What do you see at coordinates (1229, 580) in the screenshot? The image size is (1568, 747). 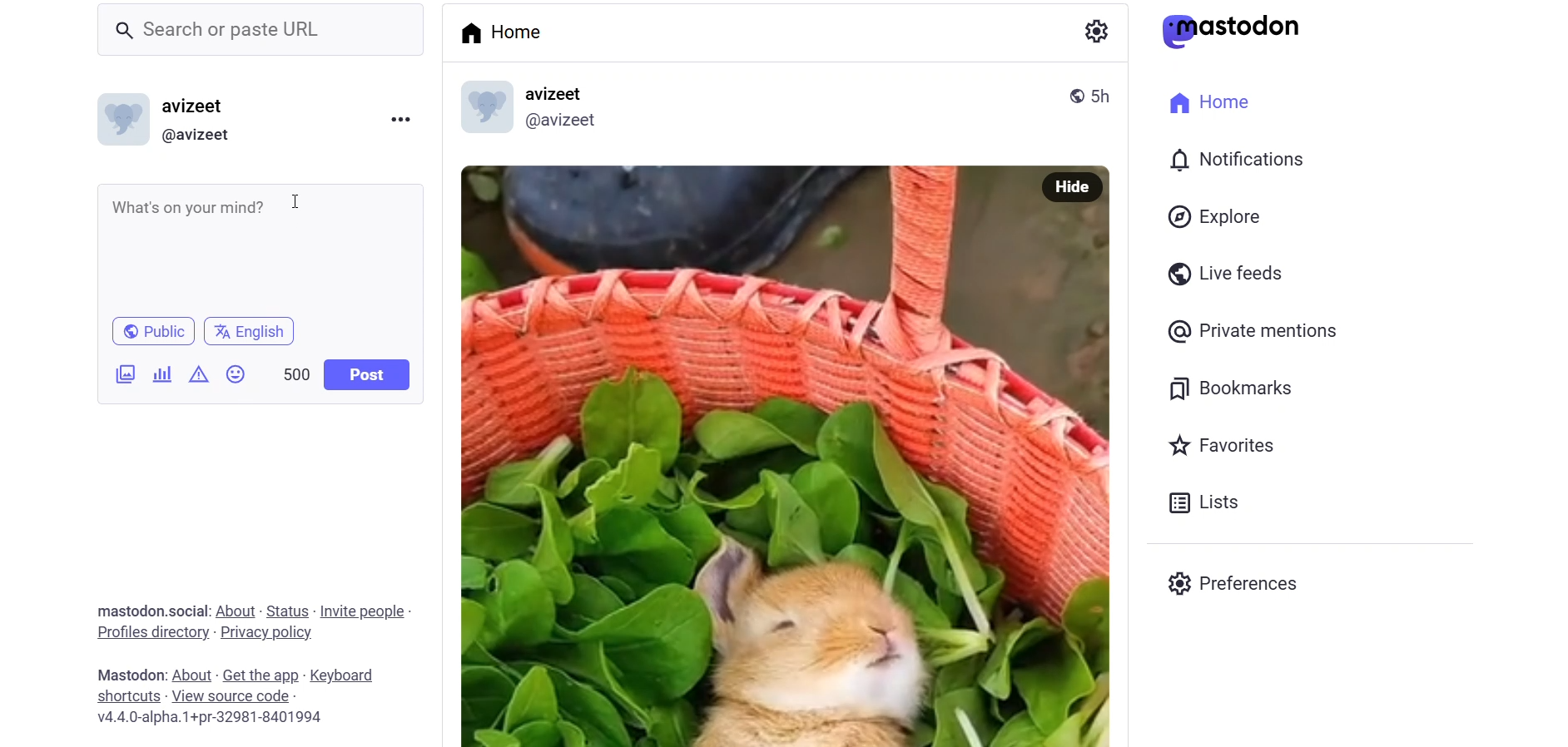 I see `preferences` at bounding box center [1229, 580].